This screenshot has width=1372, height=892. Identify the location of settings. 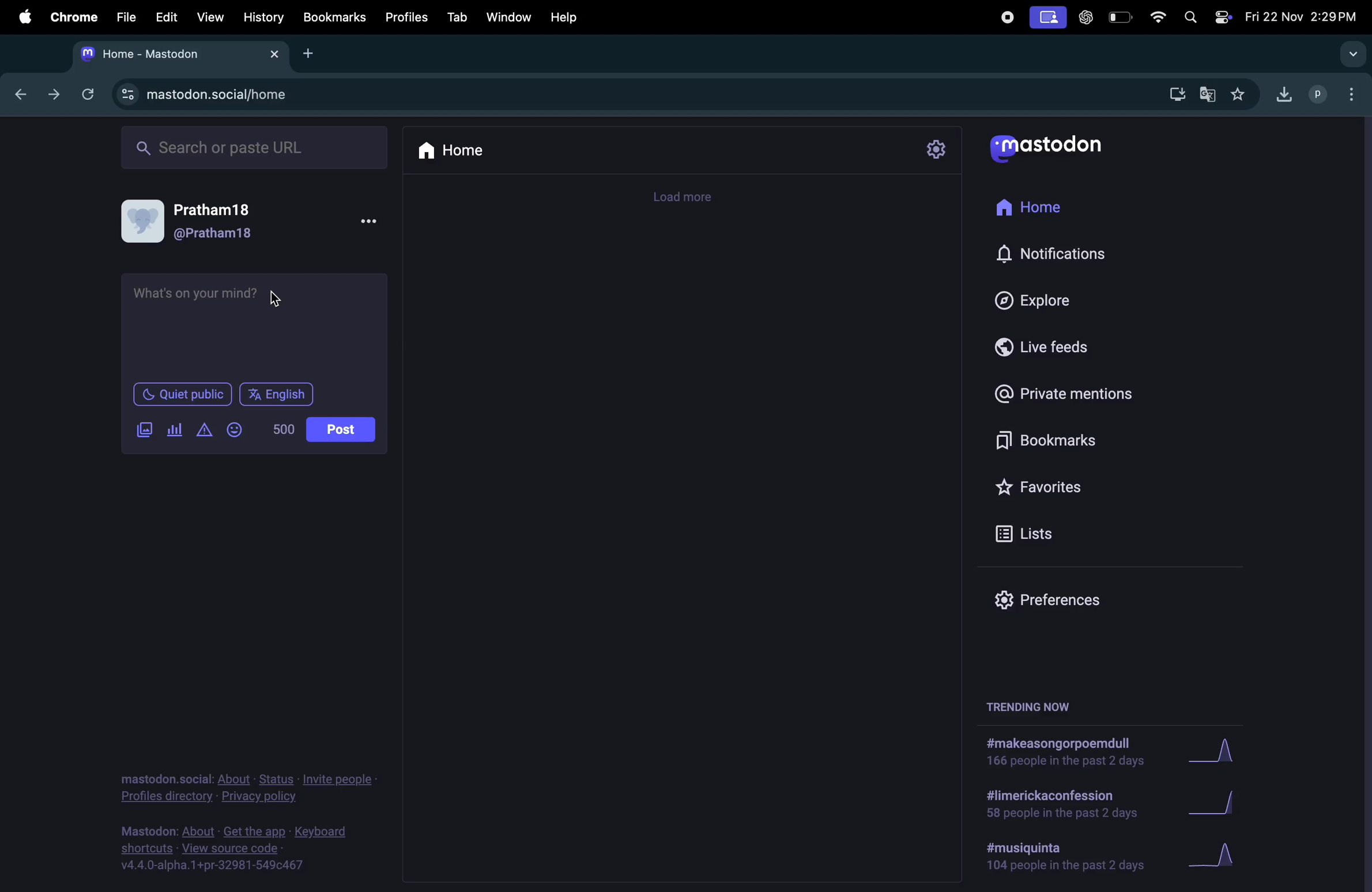
(936, 149).